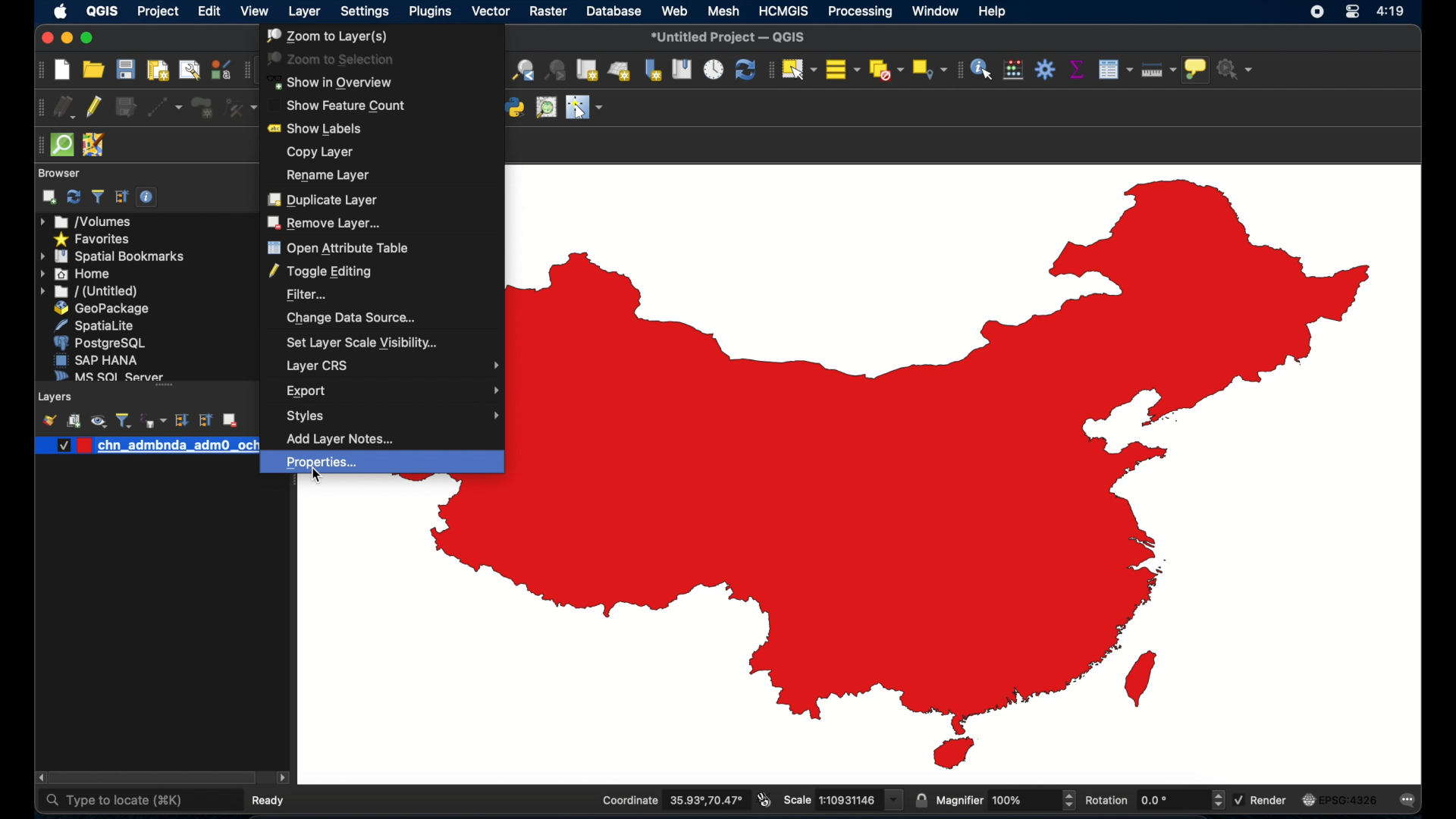  I want to click on filter, so click(307, 294).